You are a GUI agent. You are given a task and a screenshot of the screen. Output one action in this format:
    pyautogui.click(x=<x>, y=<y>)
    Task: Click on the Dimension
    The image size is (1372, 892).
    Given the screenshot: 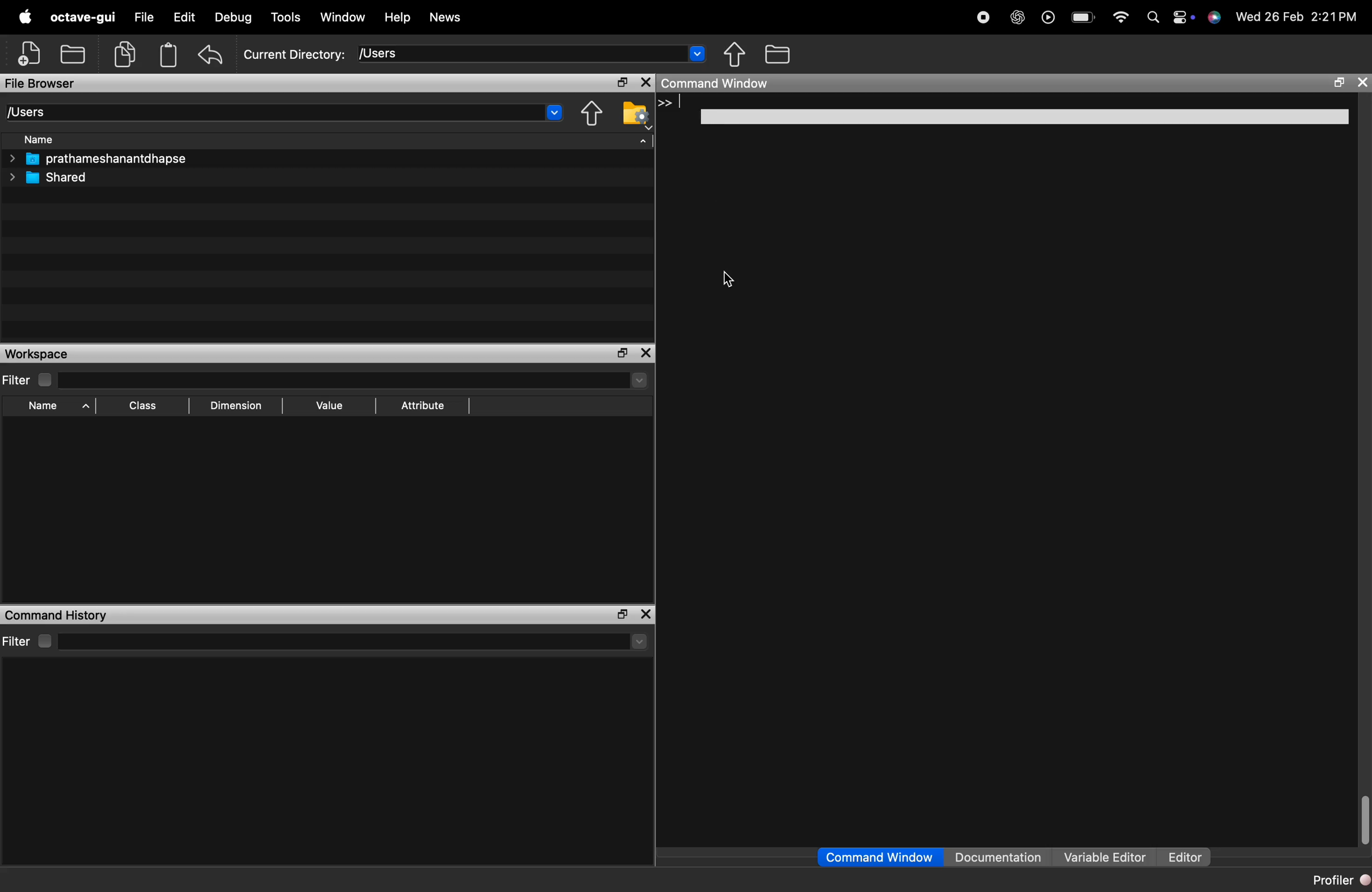 What is the action you would take?
    pyautogui.click(x=239, y=406)
    